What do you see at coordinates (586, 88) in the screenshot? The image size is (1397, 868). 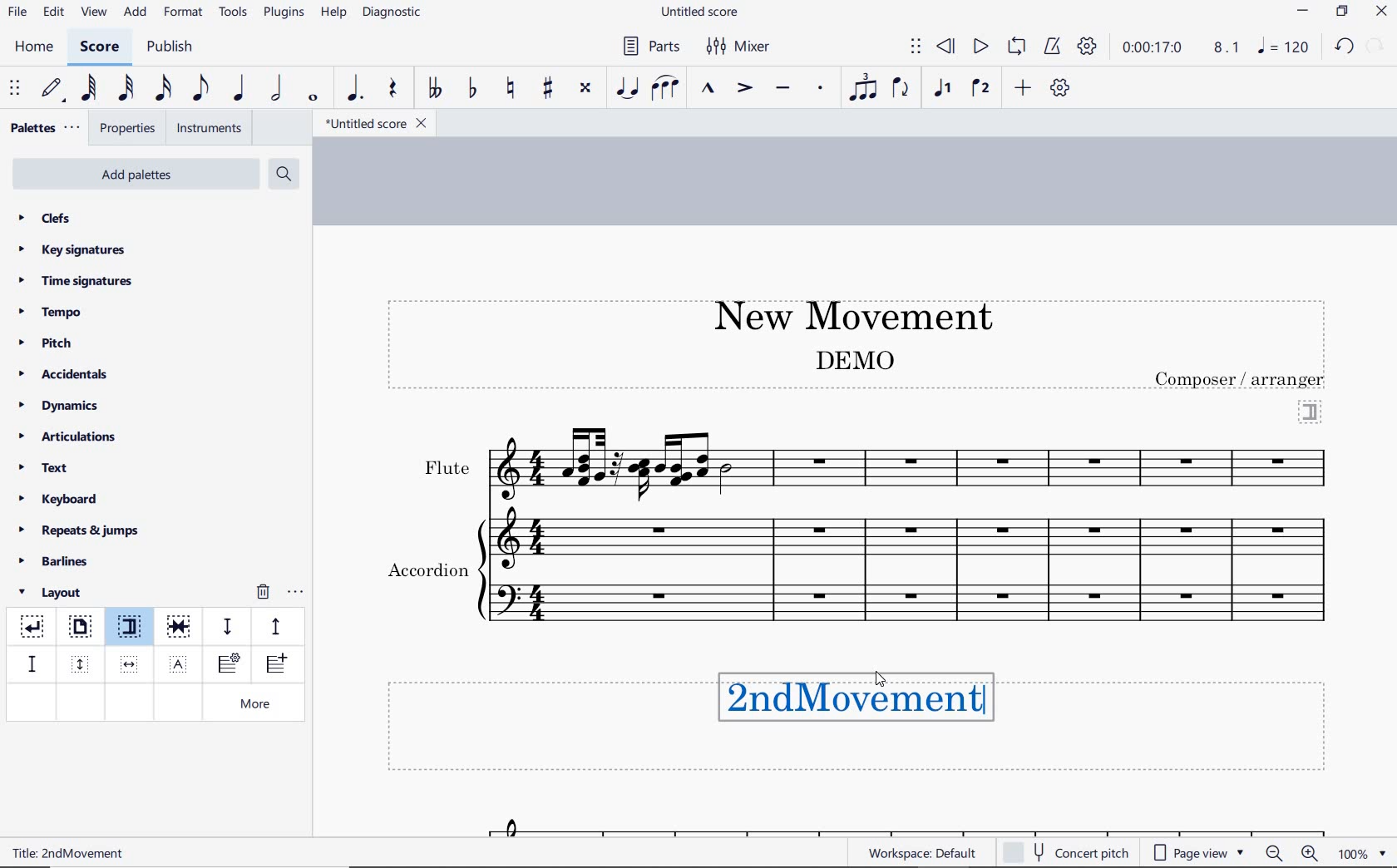 I see `toggle double-sharp` at bounding box center [586, 88].